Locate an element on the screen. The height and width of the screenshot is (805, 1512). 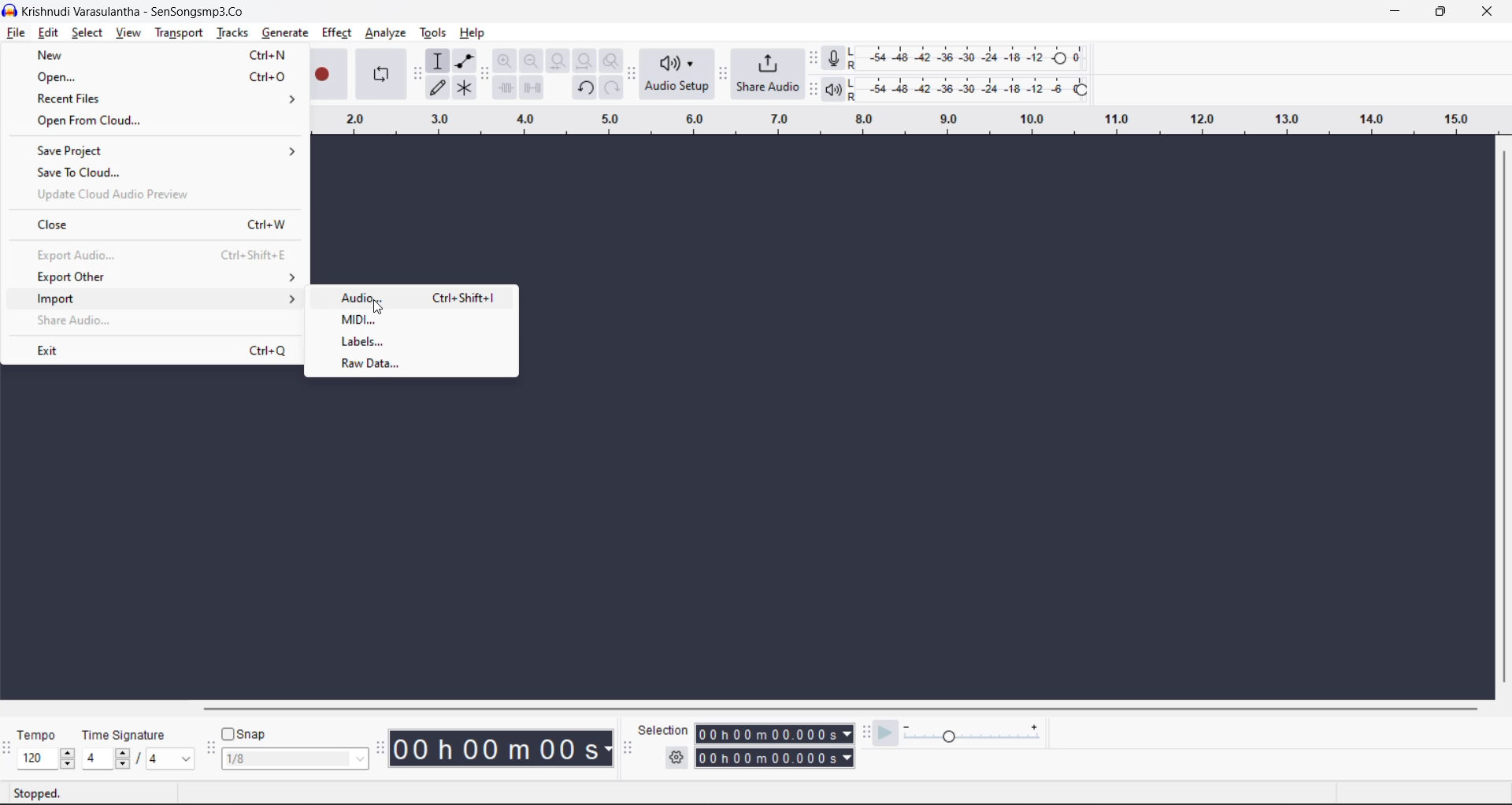
selection settings is located at coordinates (676, 757).